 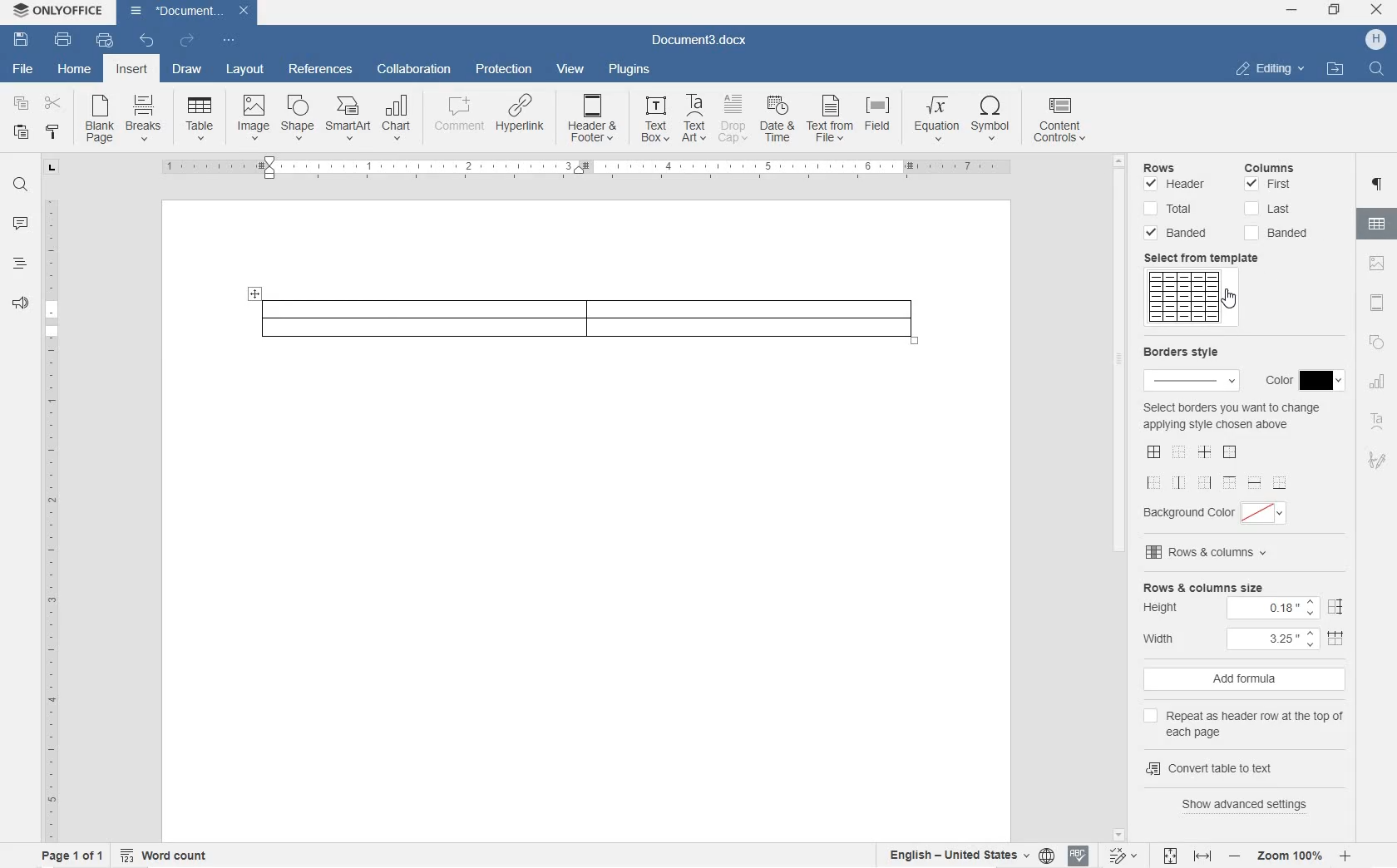 I want to click on Field, so click(x=881, y=119).